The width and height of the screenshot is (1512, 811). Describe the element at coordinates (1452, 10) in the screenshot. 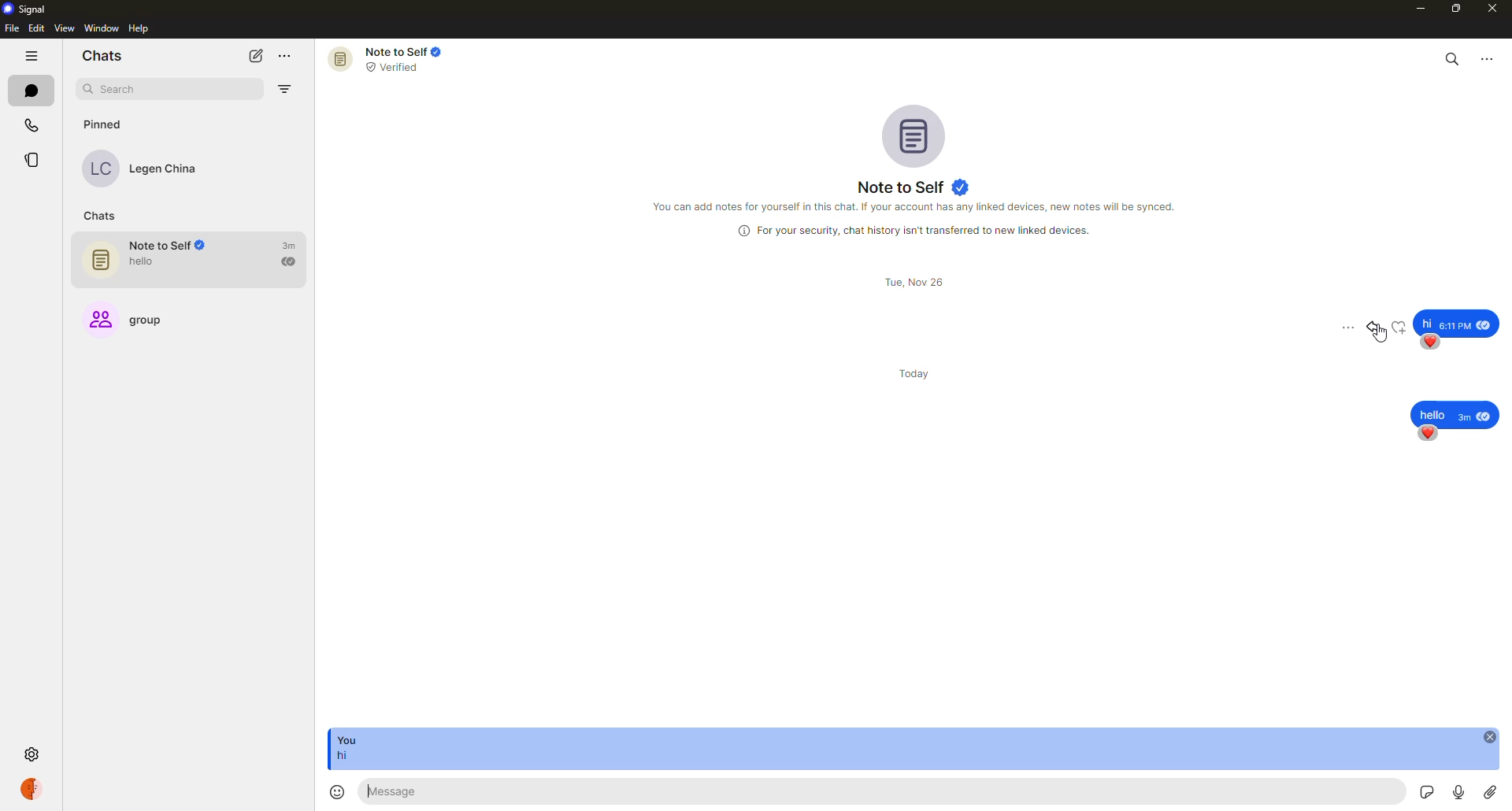

I see `maximize` at that location.